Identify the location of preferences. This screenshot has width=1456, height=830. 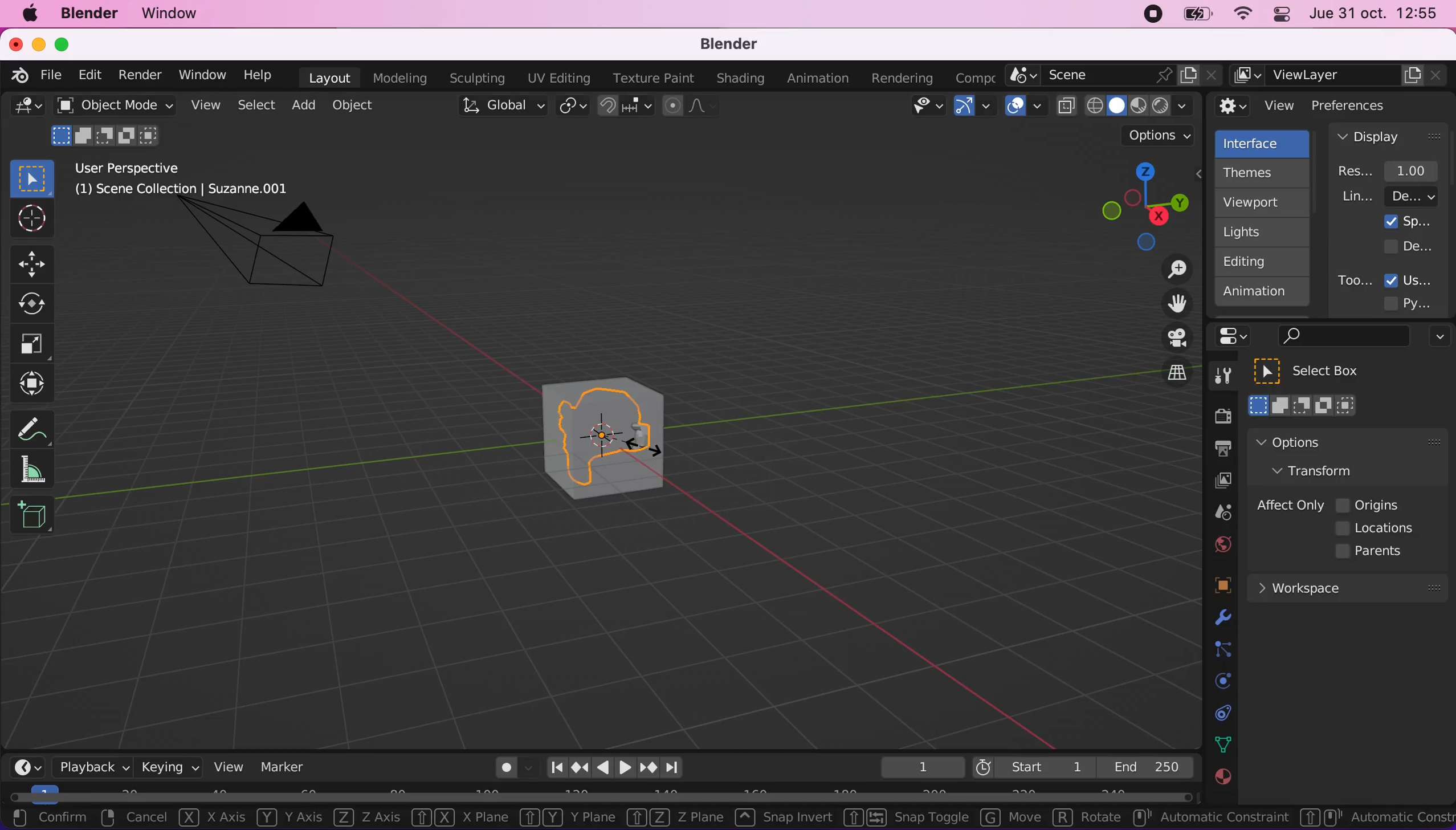
(1368, 105).